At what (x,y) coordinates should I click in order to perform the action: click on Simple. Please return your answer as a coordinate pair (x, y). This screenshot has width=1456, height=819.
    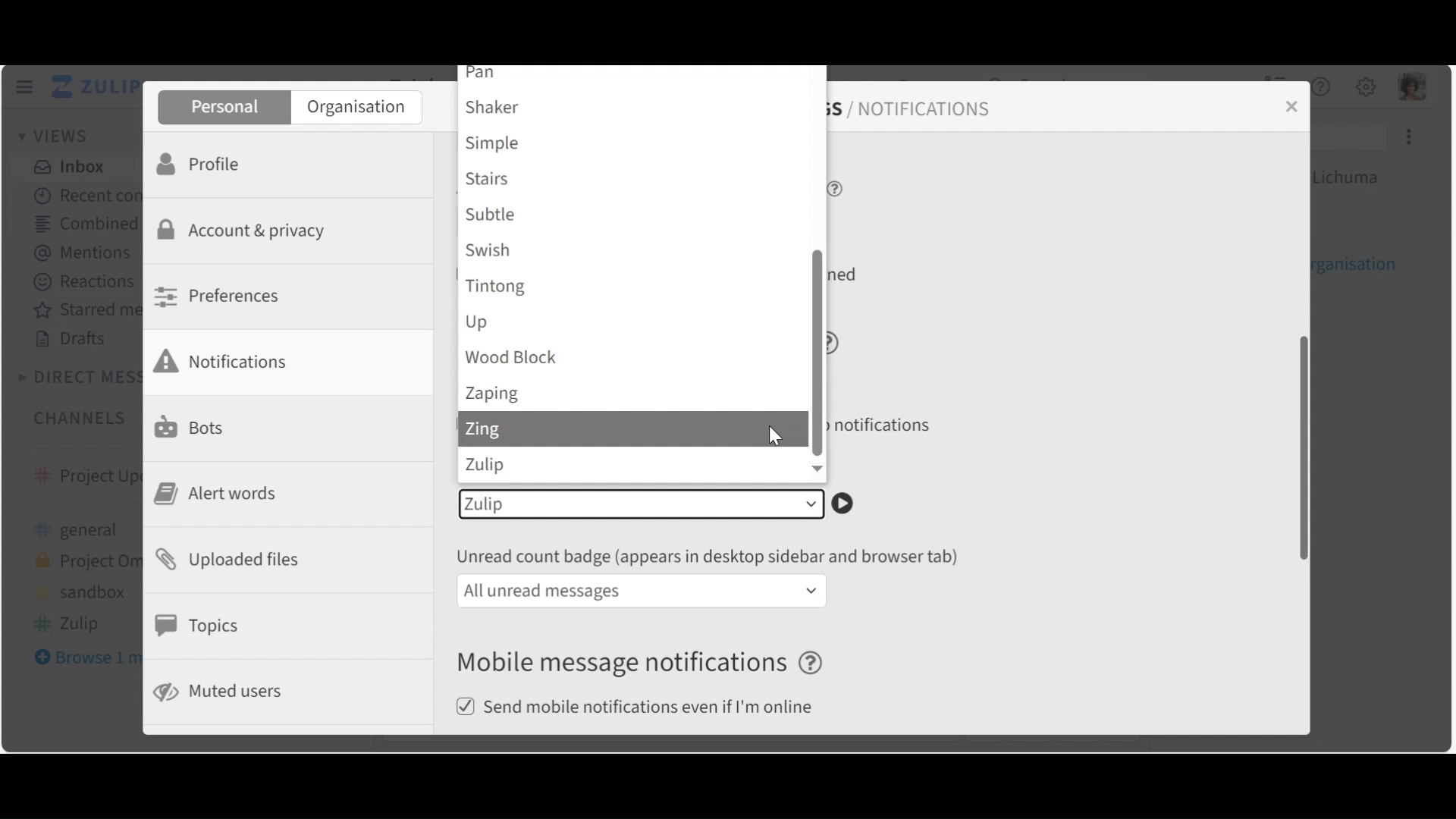
    Looking at the image, I should click on (634, 145).